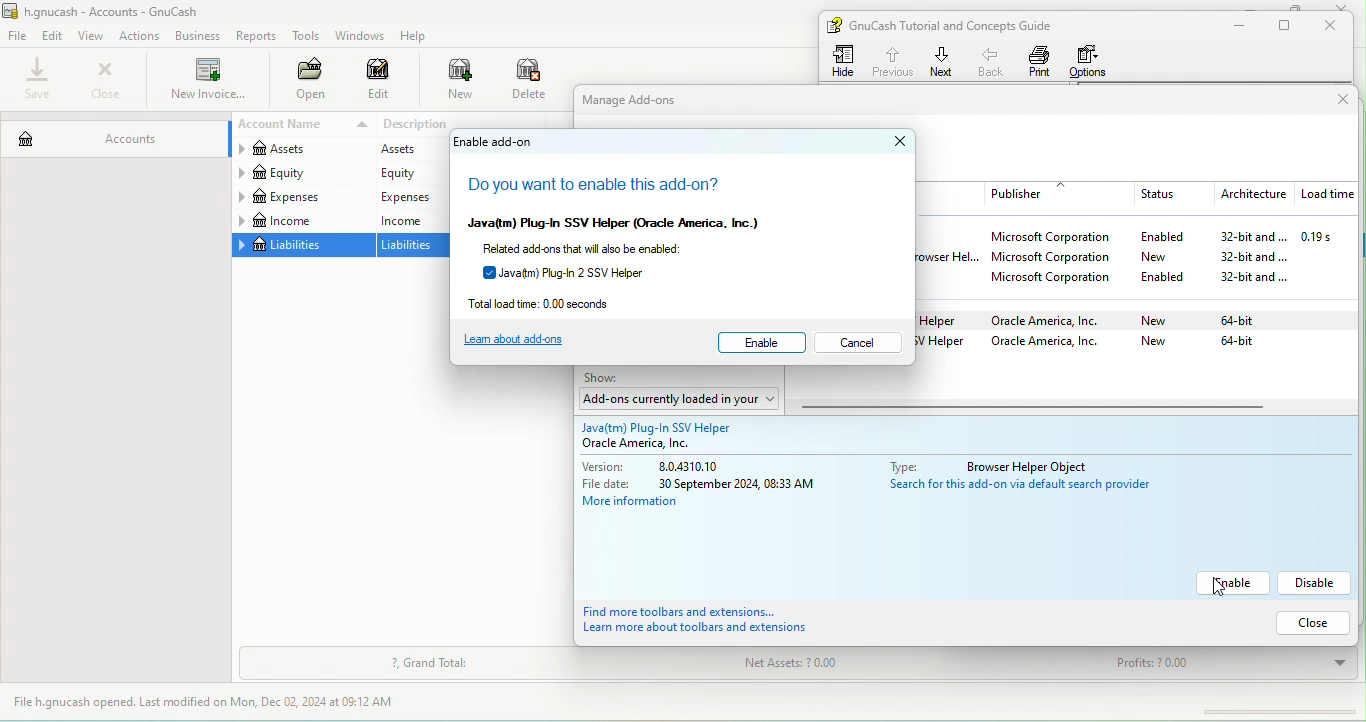  I want to click on expeness, so click(413, 197).